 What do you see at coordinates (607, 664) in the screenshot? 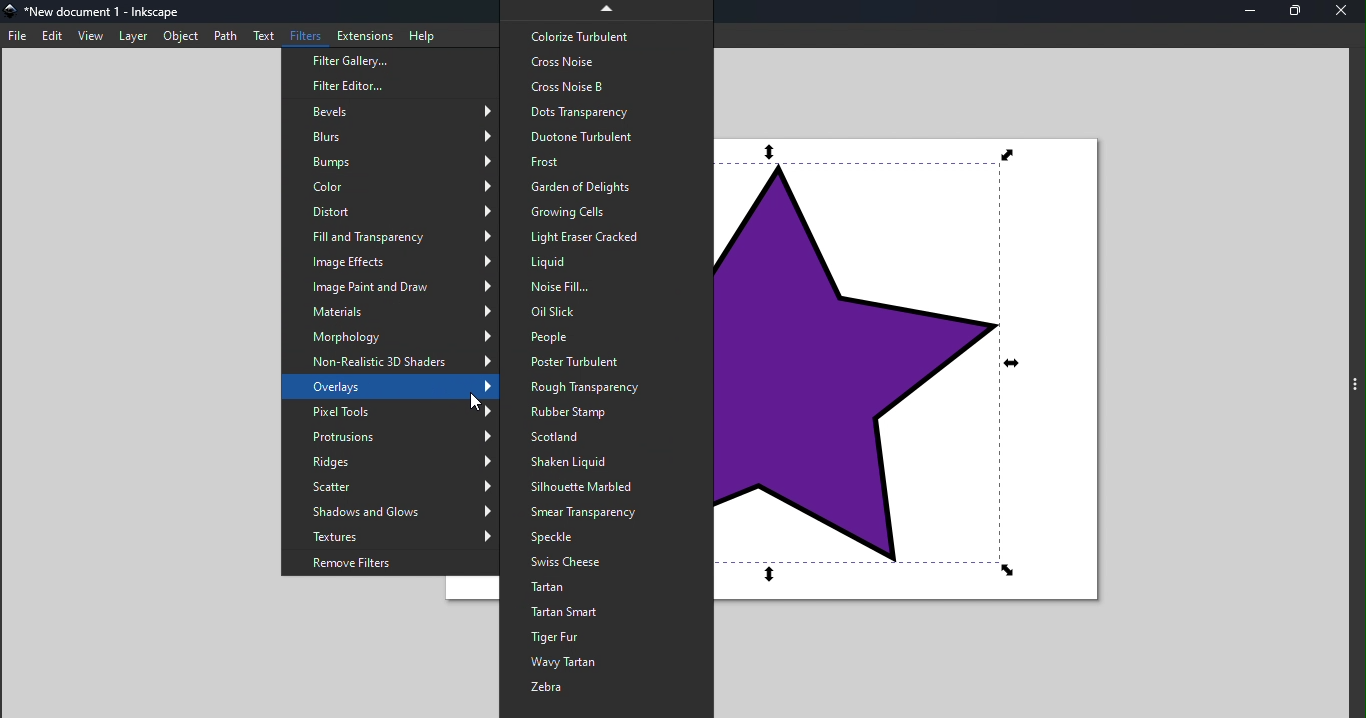
I see `Wavy tartan` at bounding box center [607, 664].